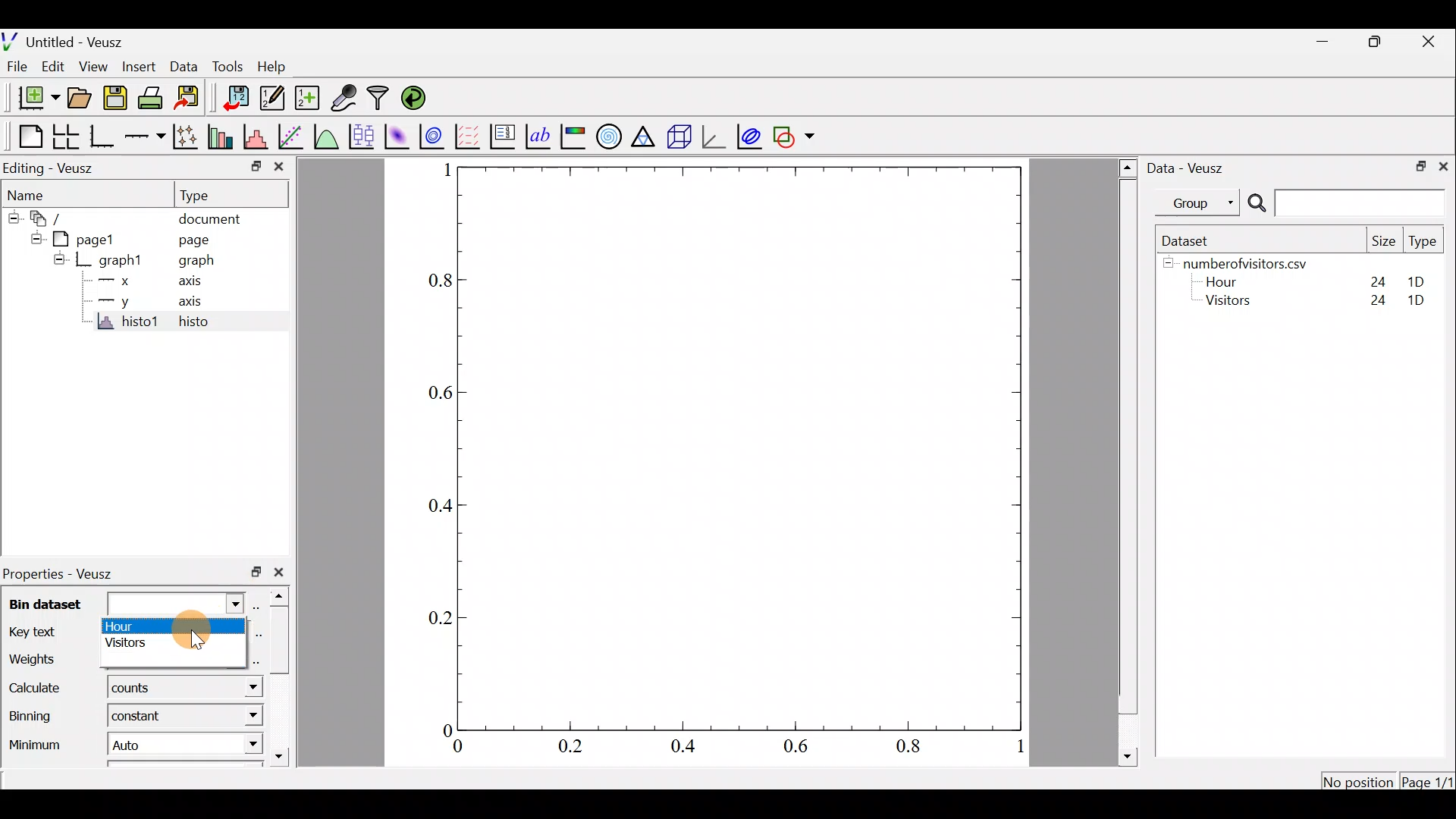 The width and height of the screenshot is (1456, 819). What do you see at coordinates (187, 284) in the screenshot?
I see `axis` at bounding box center [187, 284].